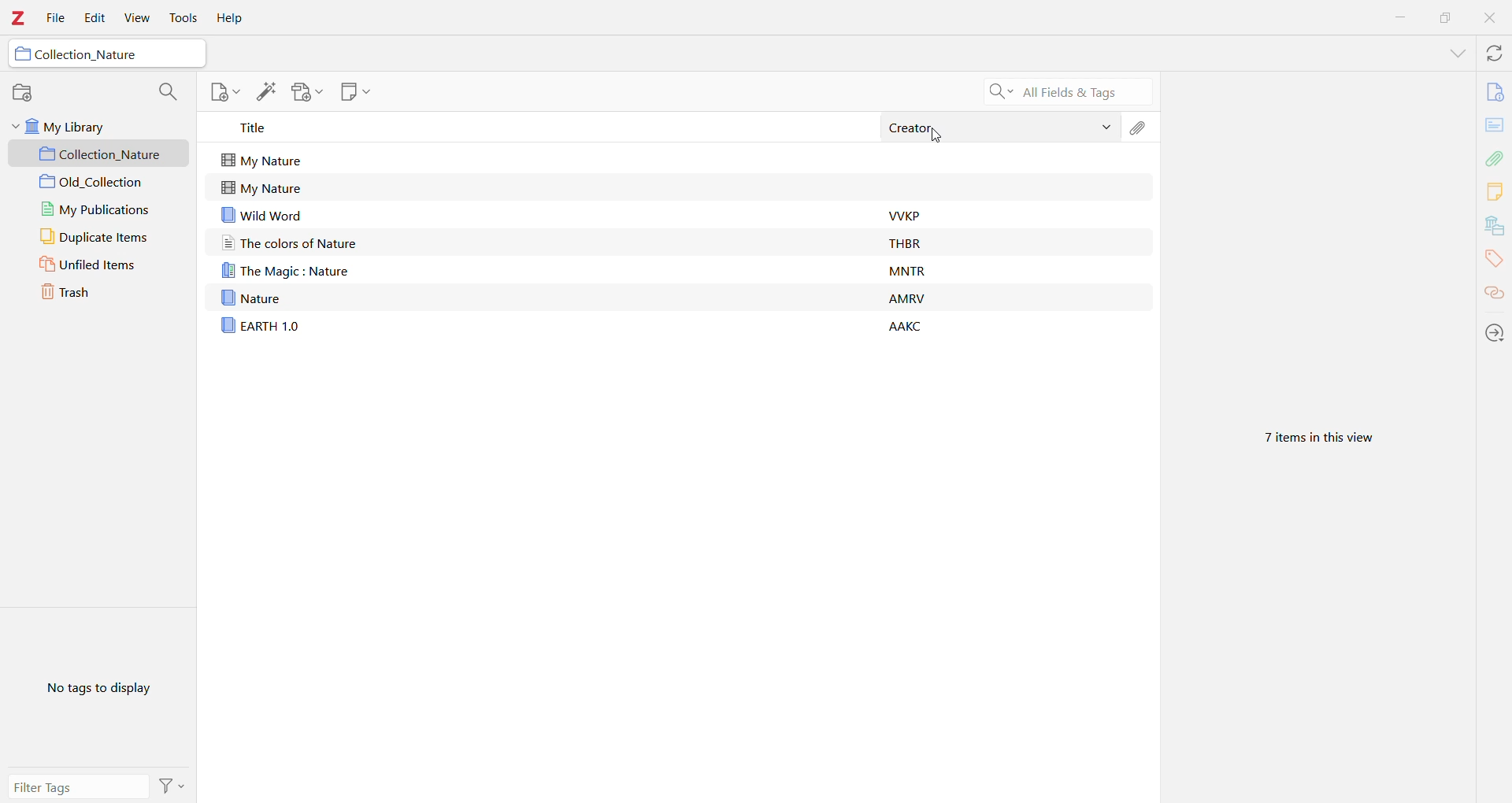 The image size is (1512, 803). I want to click on Collection 1, so click(103, 154).